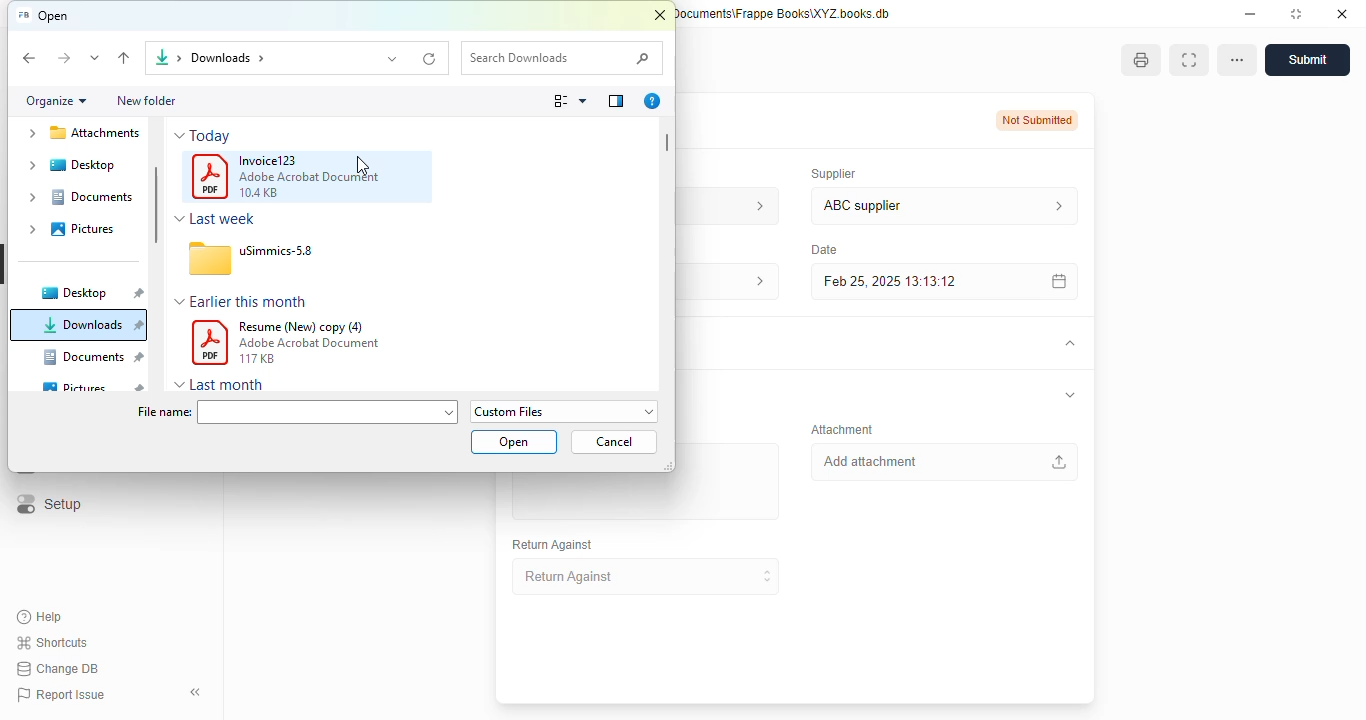  What do you see at coordinates (644, 497) in the screenshot?
I see `add invoice items` at bounding box center [644, 497].